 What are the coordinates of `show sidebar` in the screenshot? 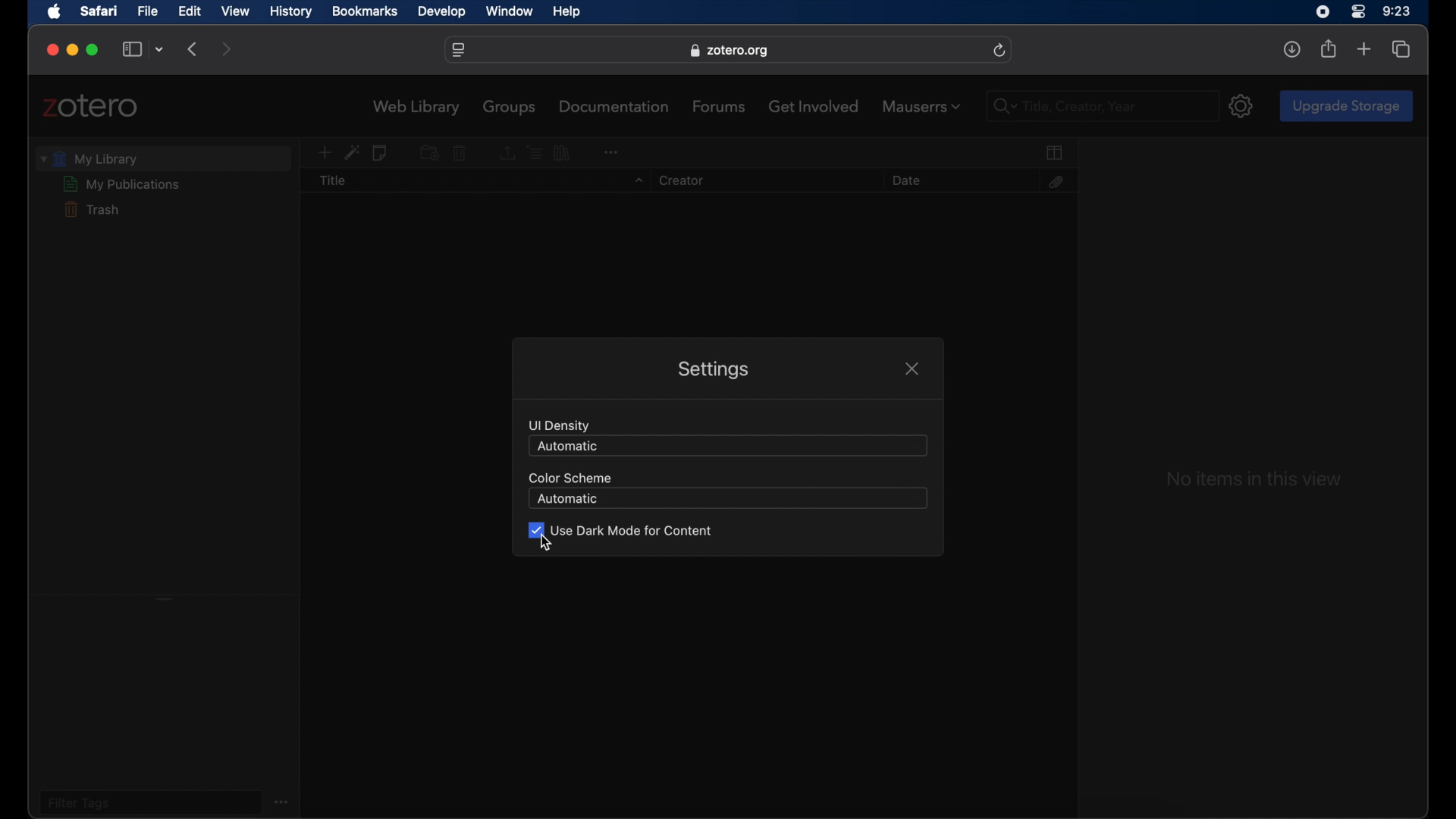 It's located at (132, 50).